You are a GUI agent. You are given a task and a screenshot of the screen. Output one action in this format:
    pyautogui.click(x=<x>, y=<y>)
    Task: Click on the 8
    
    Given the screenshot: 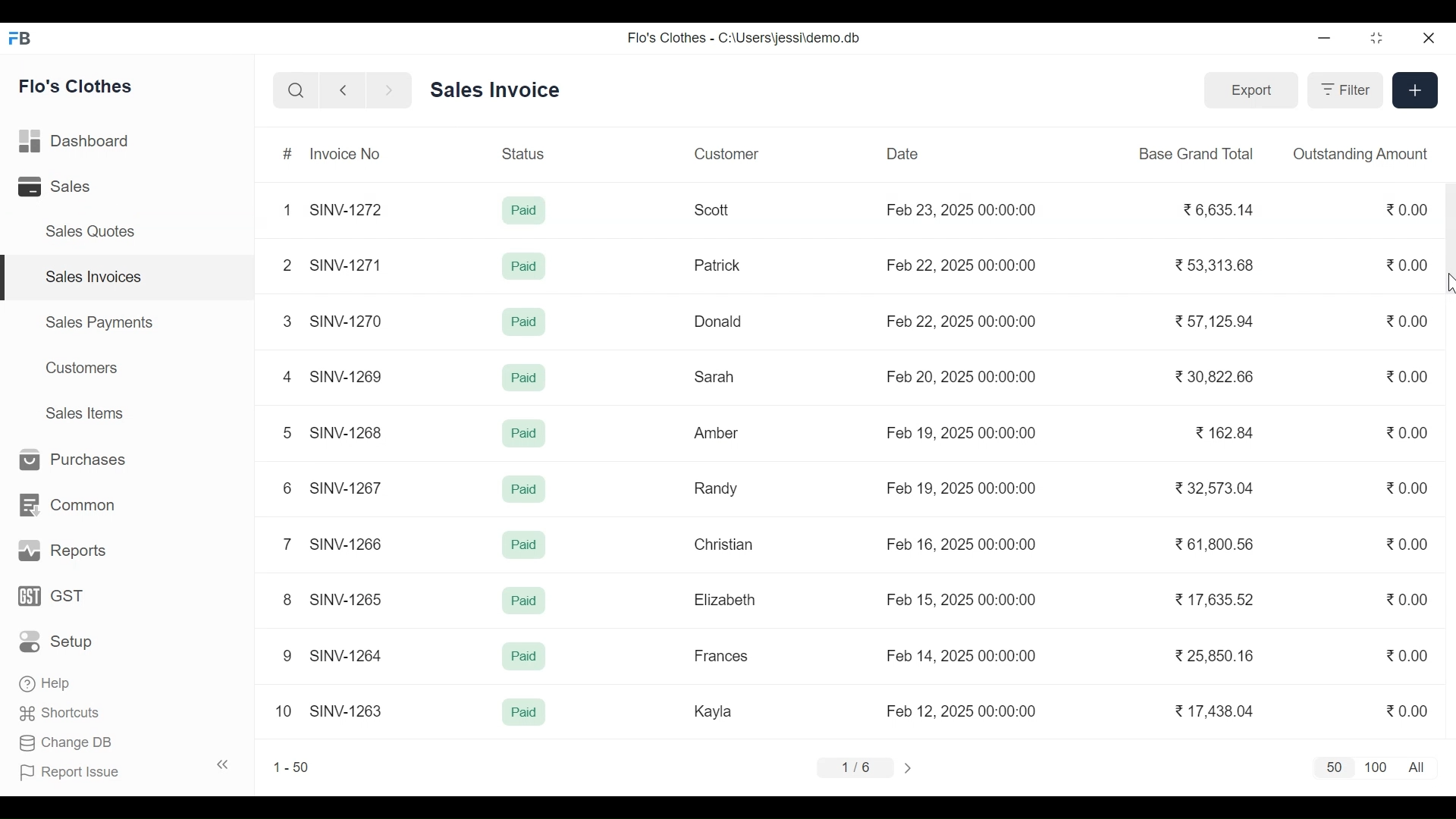 What is the action you would take?
    pyautogui.click(x=288, y=599)
    